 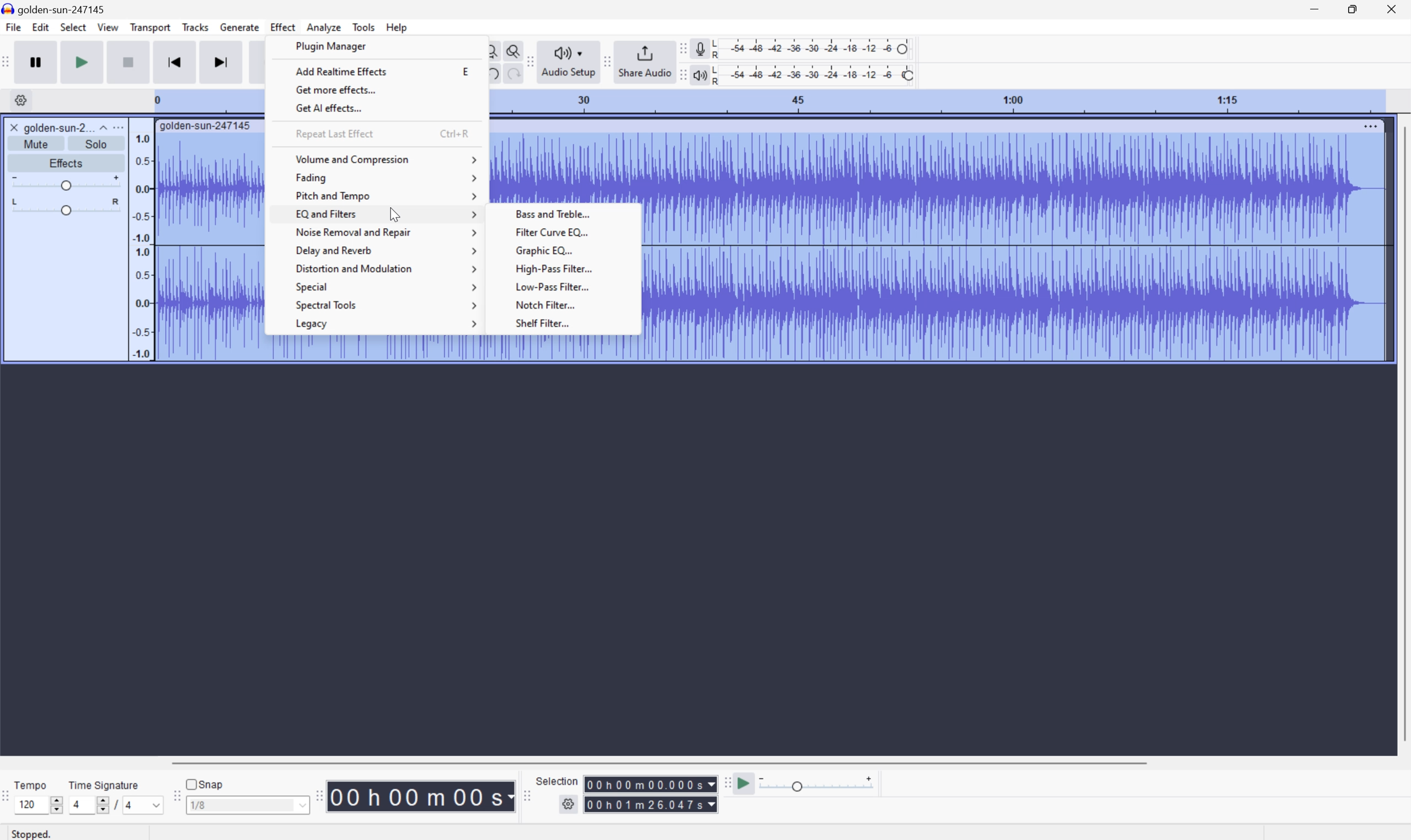 What do you see at coordinates (394, 211) in the screenshot?
I see `Cursor` at bounding box center [394, 211].